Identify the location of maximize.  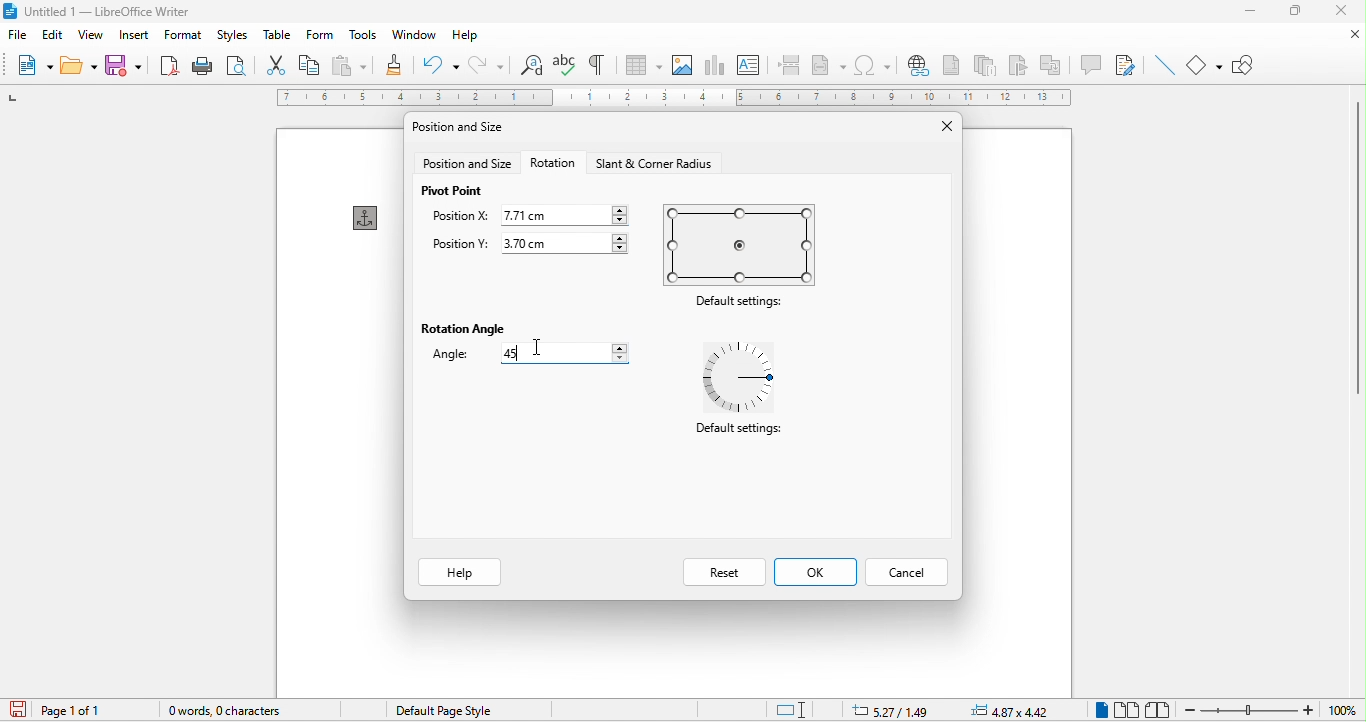
(1295, 10).